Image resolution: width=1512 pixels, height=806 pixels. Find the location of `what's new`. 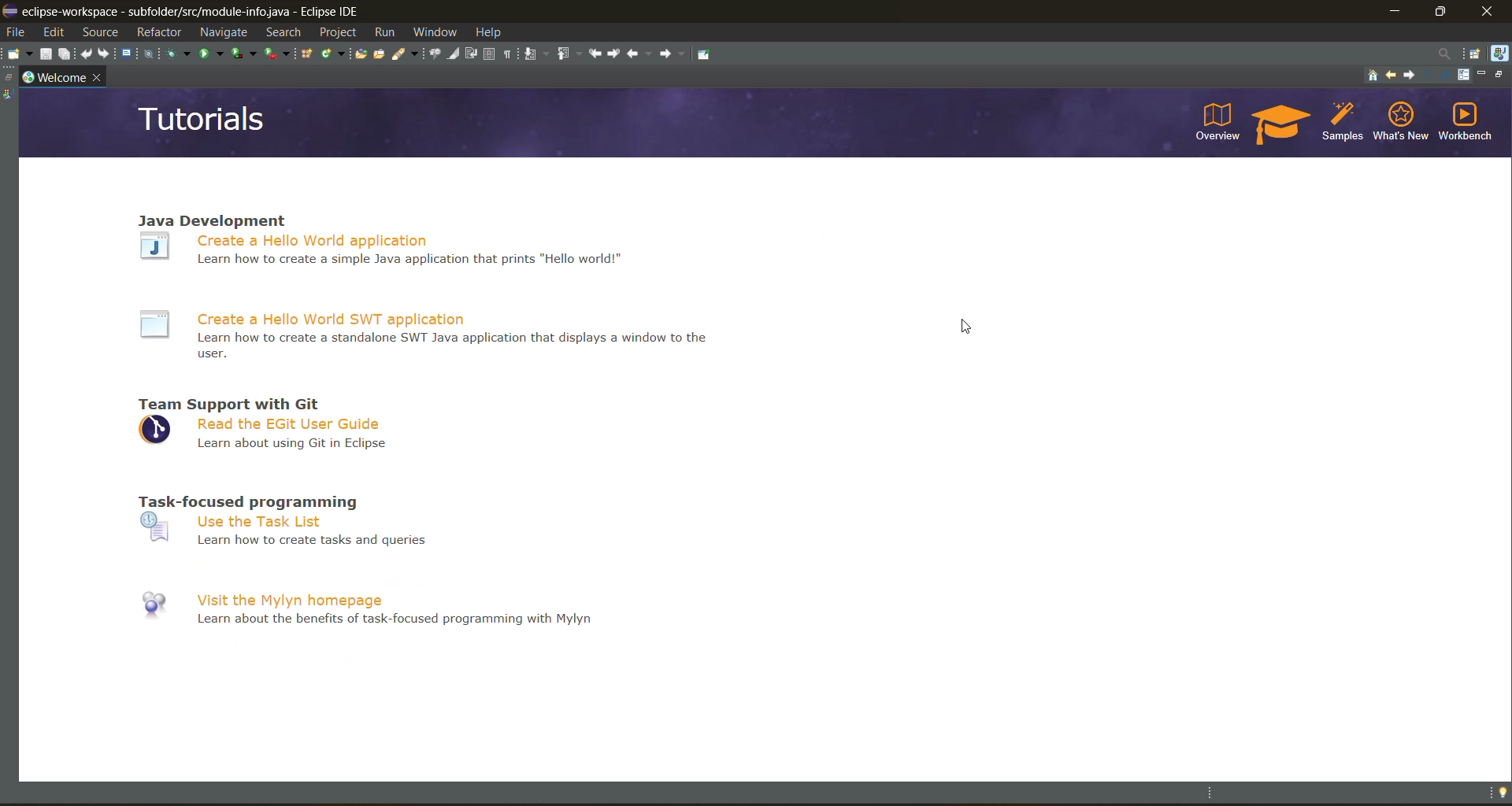

what's new is located at coordinates (1401, 120).